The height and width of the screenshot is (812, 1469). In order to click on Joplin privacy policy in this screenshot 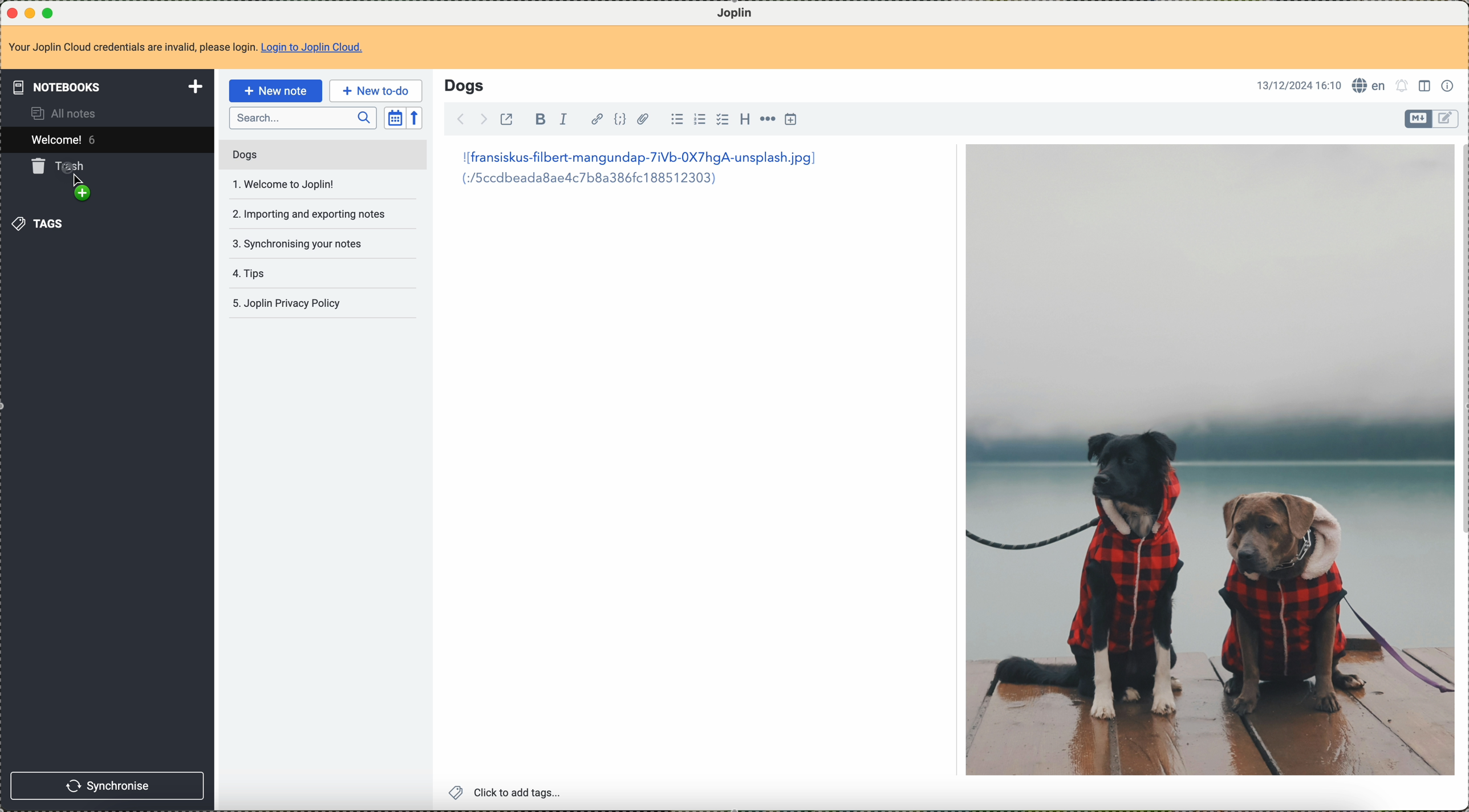, I will do `click(289, 302)`.